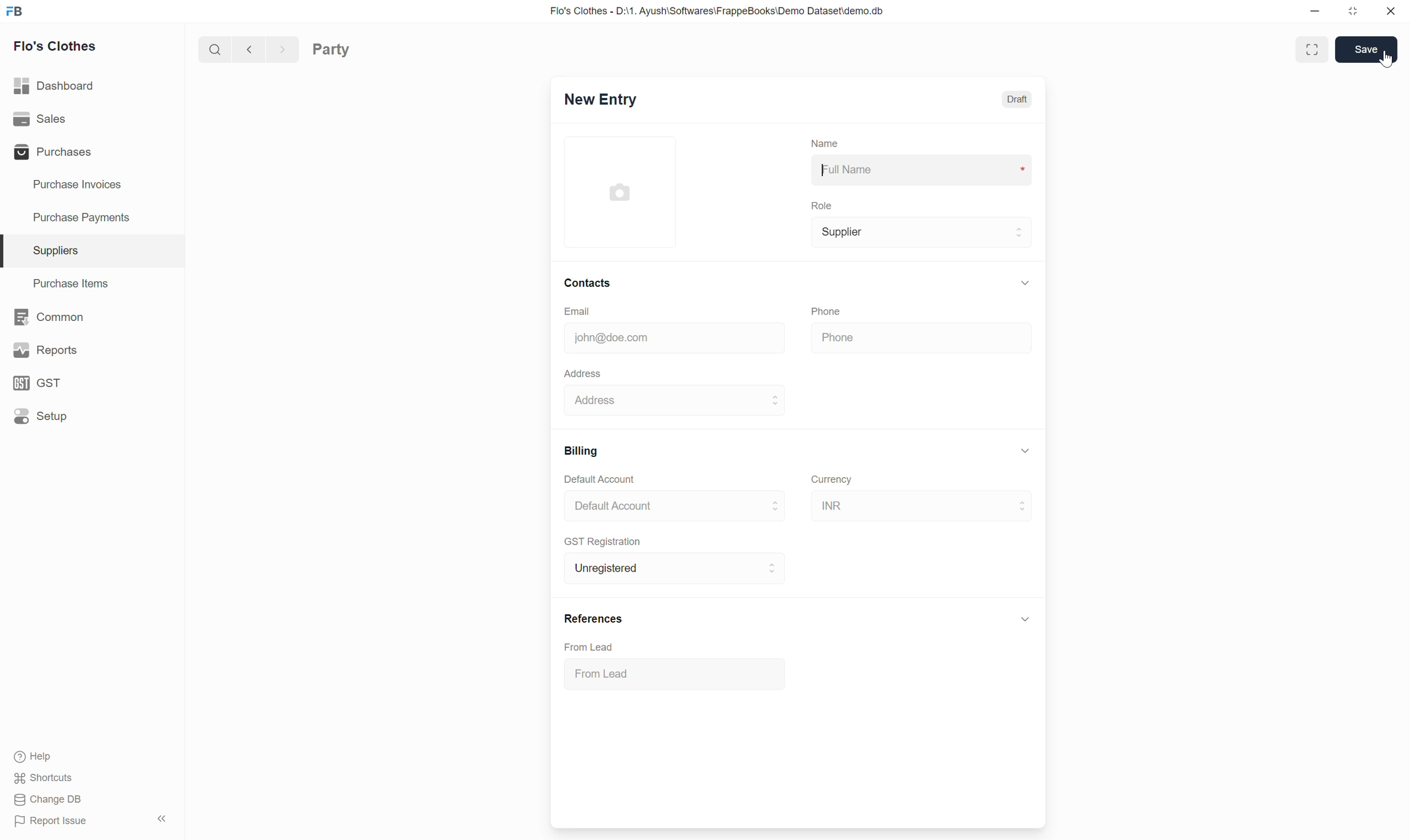 This screenshot has height=840, width=1410. What do you see at coordinates (53, 821) in the screenshot?
I see `Report Issue` at bounding box center [53, 821].